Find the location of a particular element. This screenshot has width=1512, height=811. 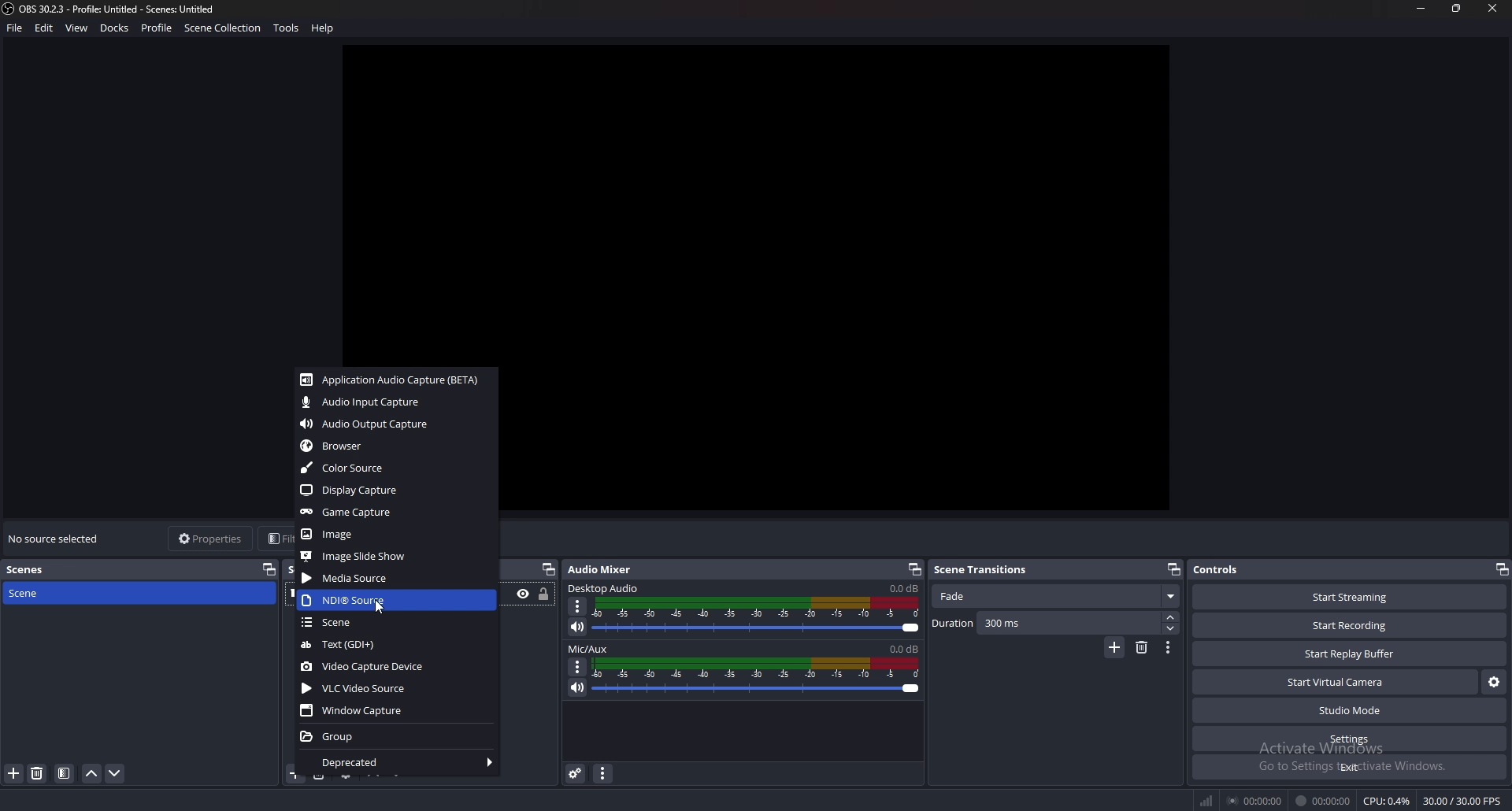

scene is located at coordinates (43, 594).